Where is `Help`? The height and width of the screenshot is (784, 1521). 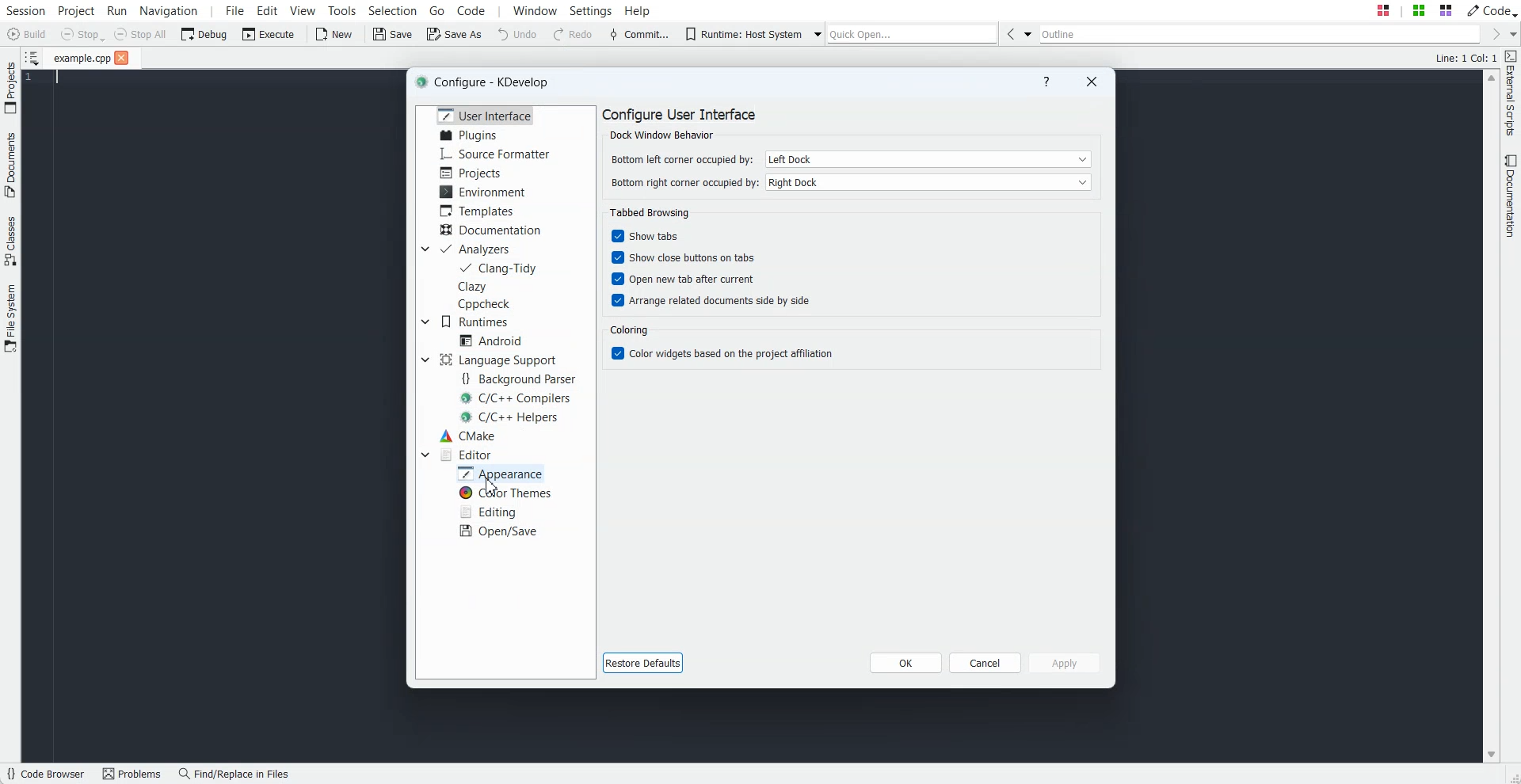 Help is located at coordinates (638, 10).